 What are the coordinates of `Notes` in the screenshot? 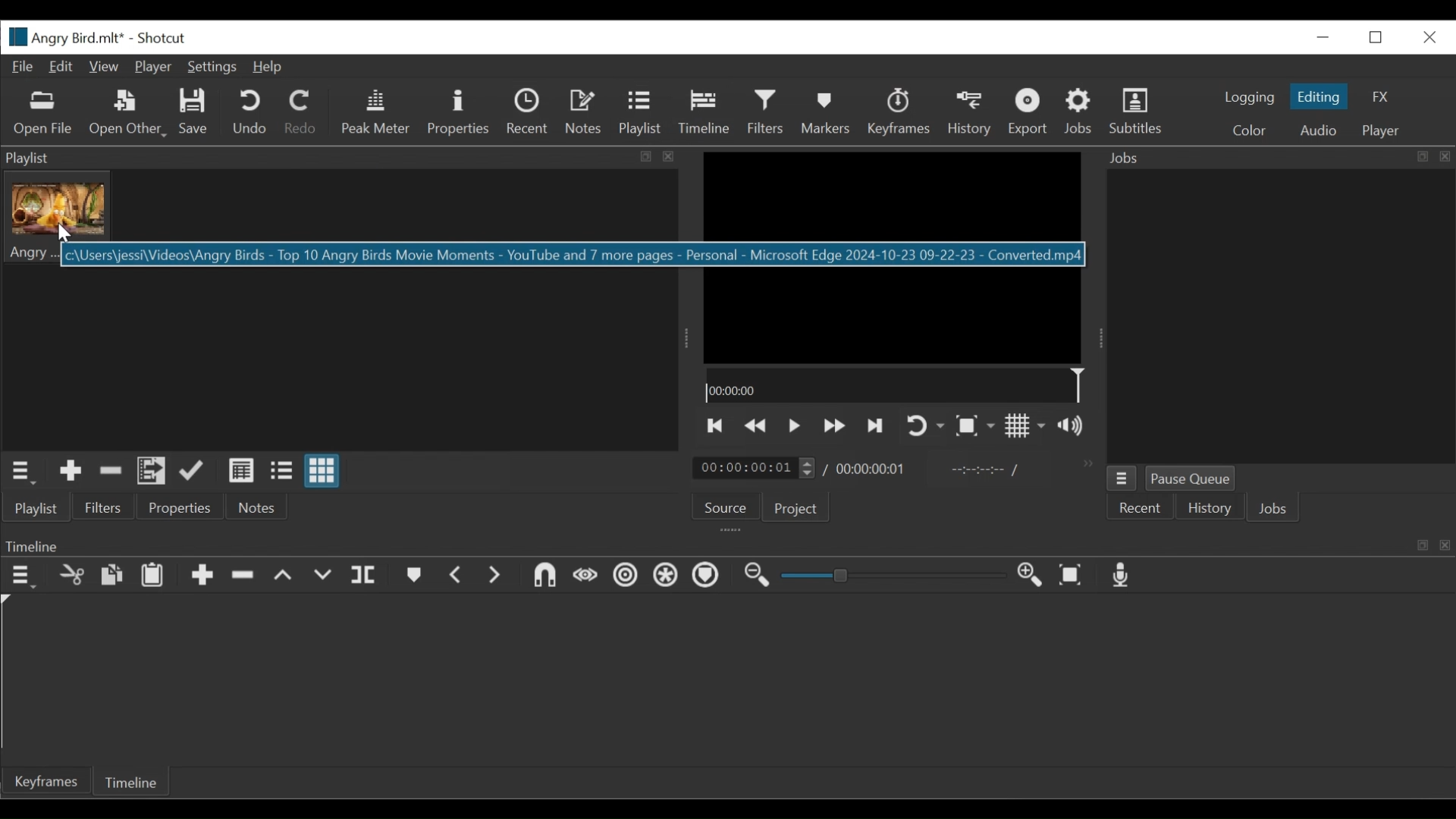 It's located at (260, 507).